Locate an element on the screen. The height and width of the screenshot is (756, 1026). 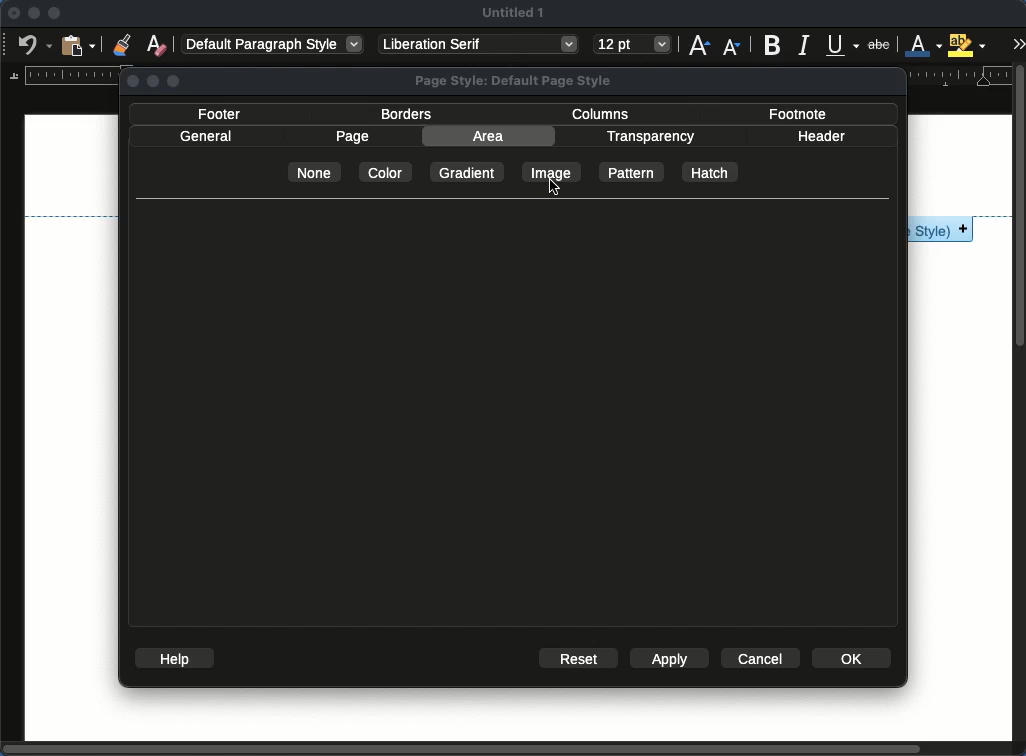
footnote is located at coordinates (799, 115).